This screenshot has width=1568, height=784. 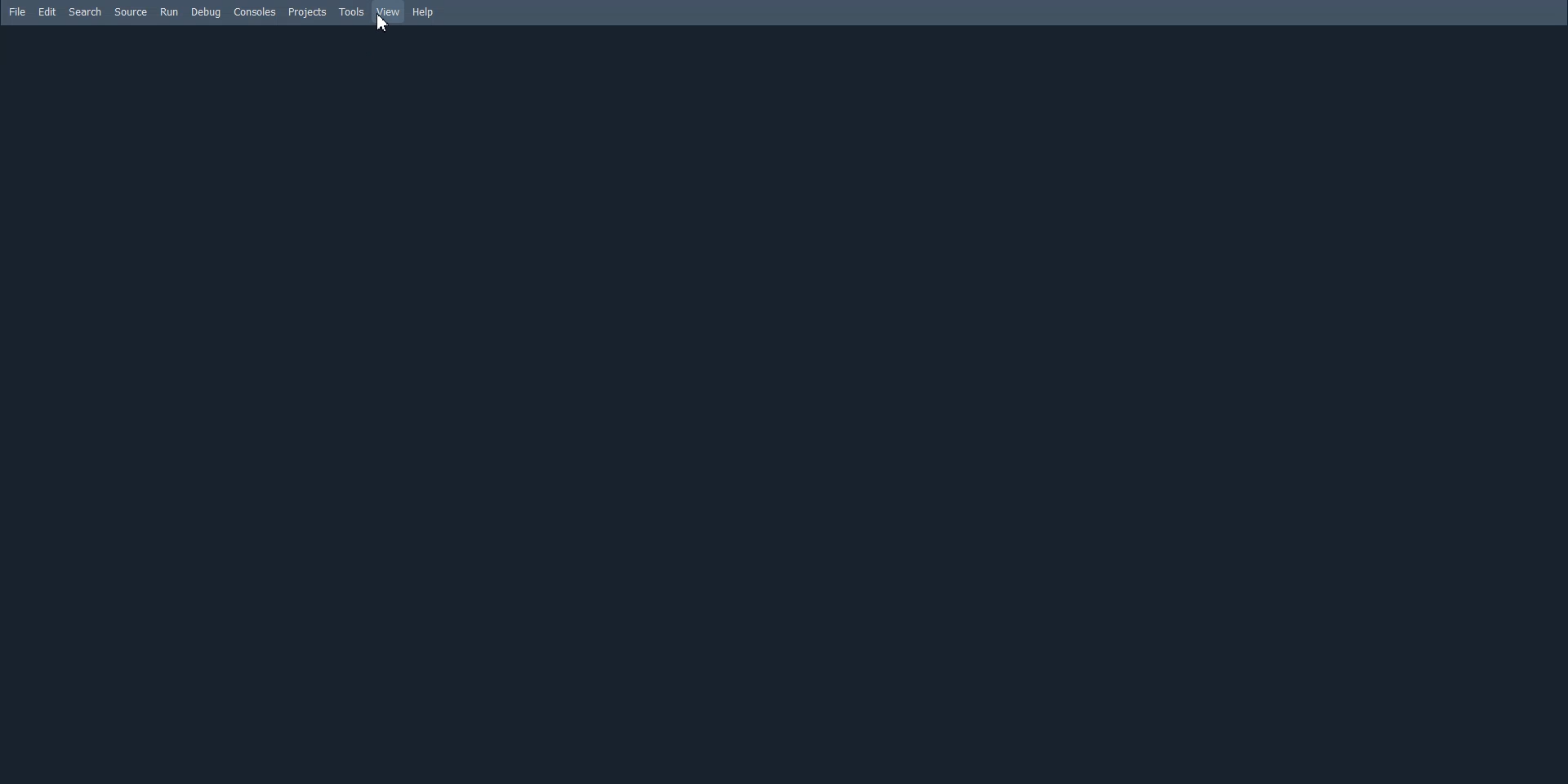 What do you see at coordinates (169, 11) in the screenshot?
I see `Run` at bounding box center [169, 11].